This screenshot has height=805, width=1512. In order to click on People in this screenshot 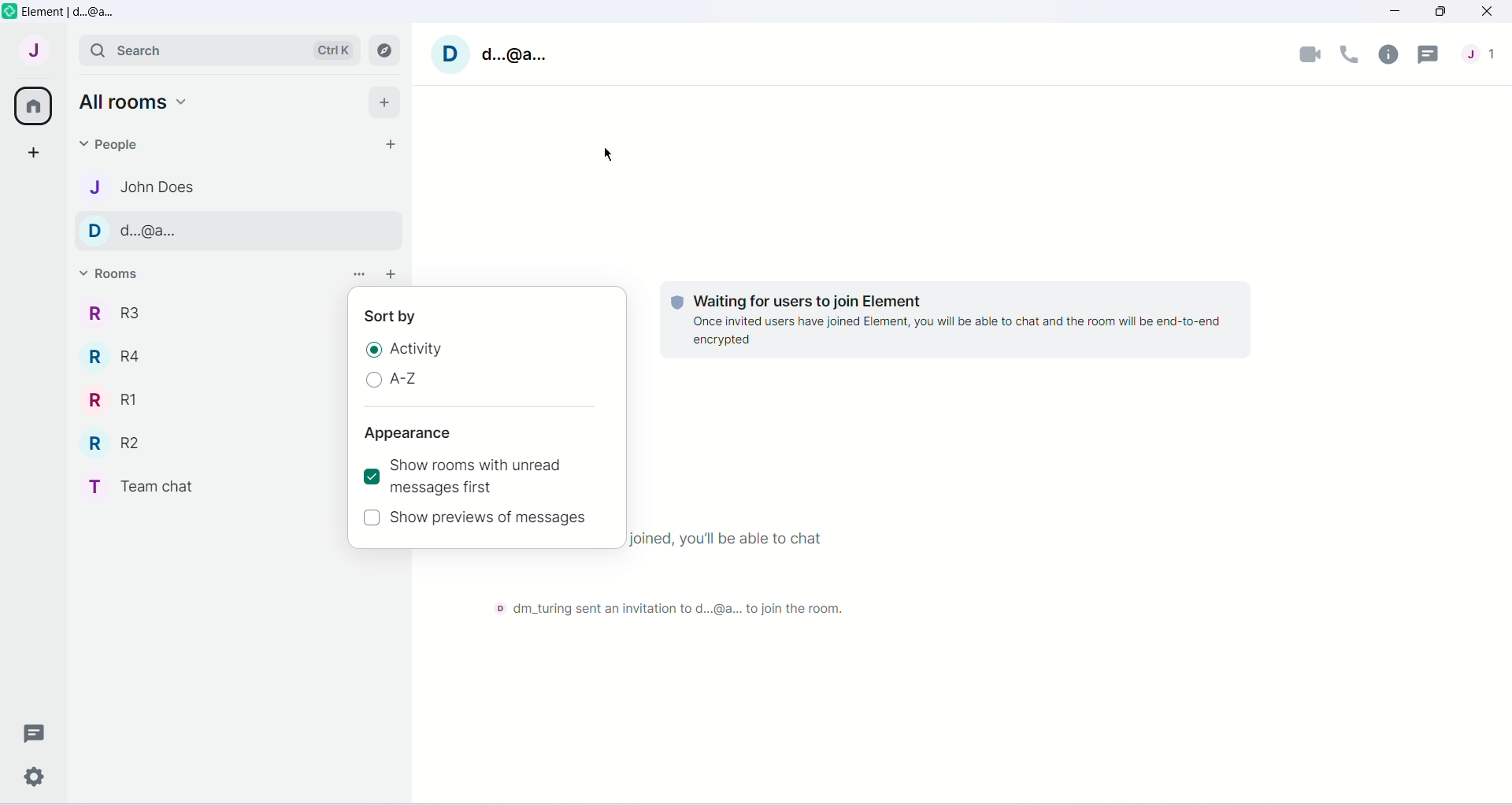, I will do `click(1480, 54)`.